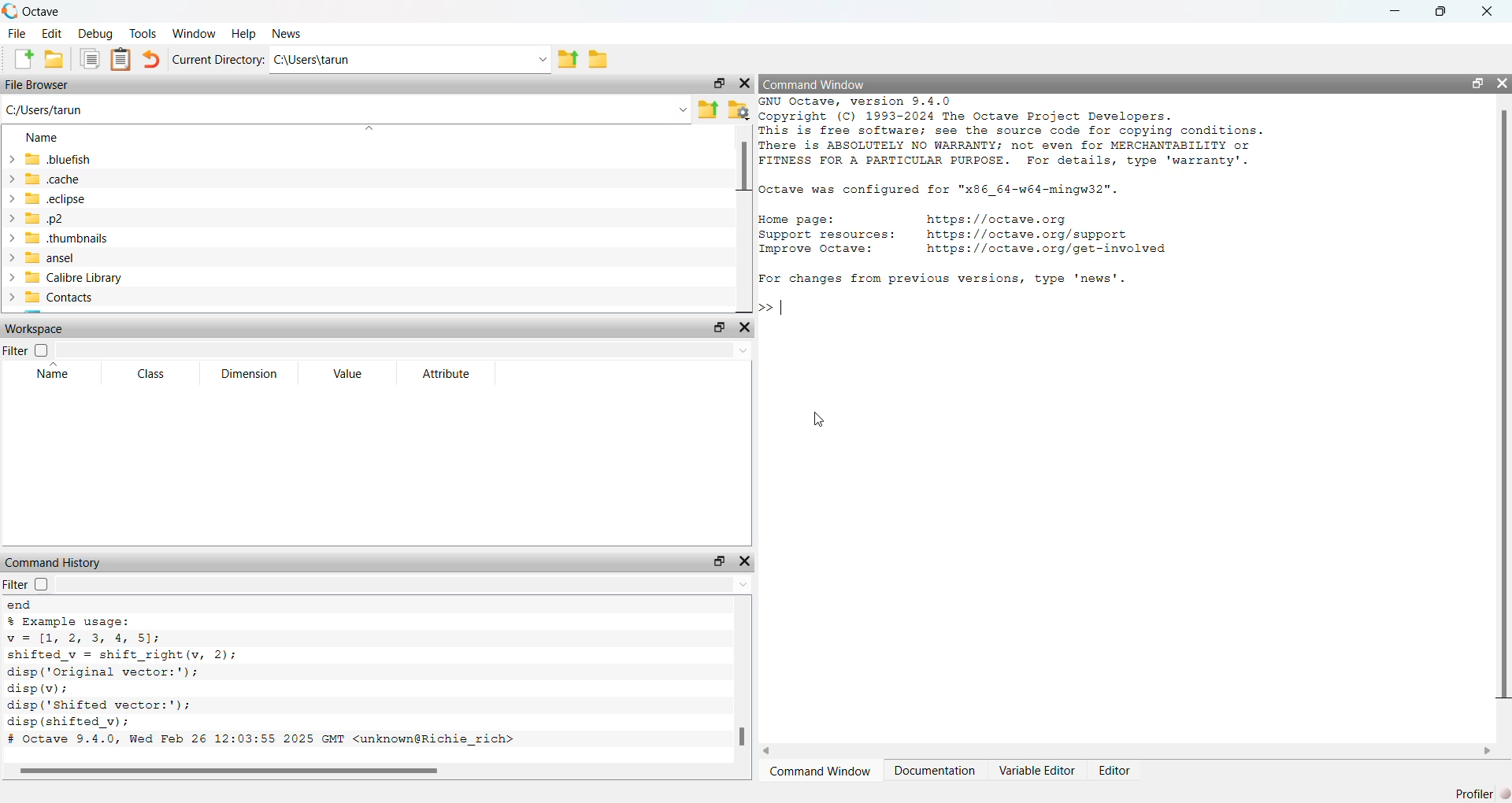 The image size is (1512, 803). Describe the element at coordinates (50, 376) in the screenshot. I see `name` at that location.